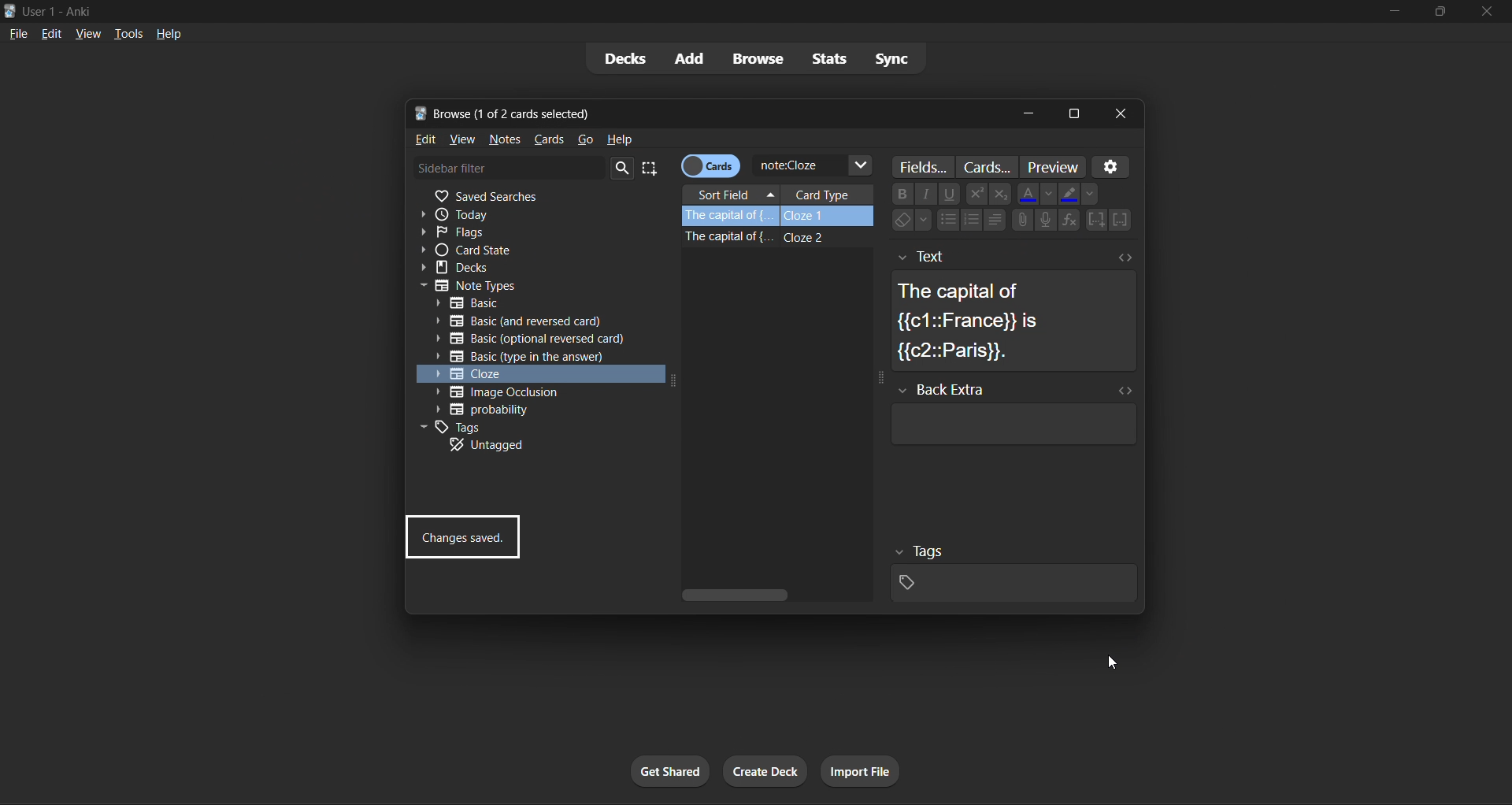  I want to click on sort field , so click(731, 196).